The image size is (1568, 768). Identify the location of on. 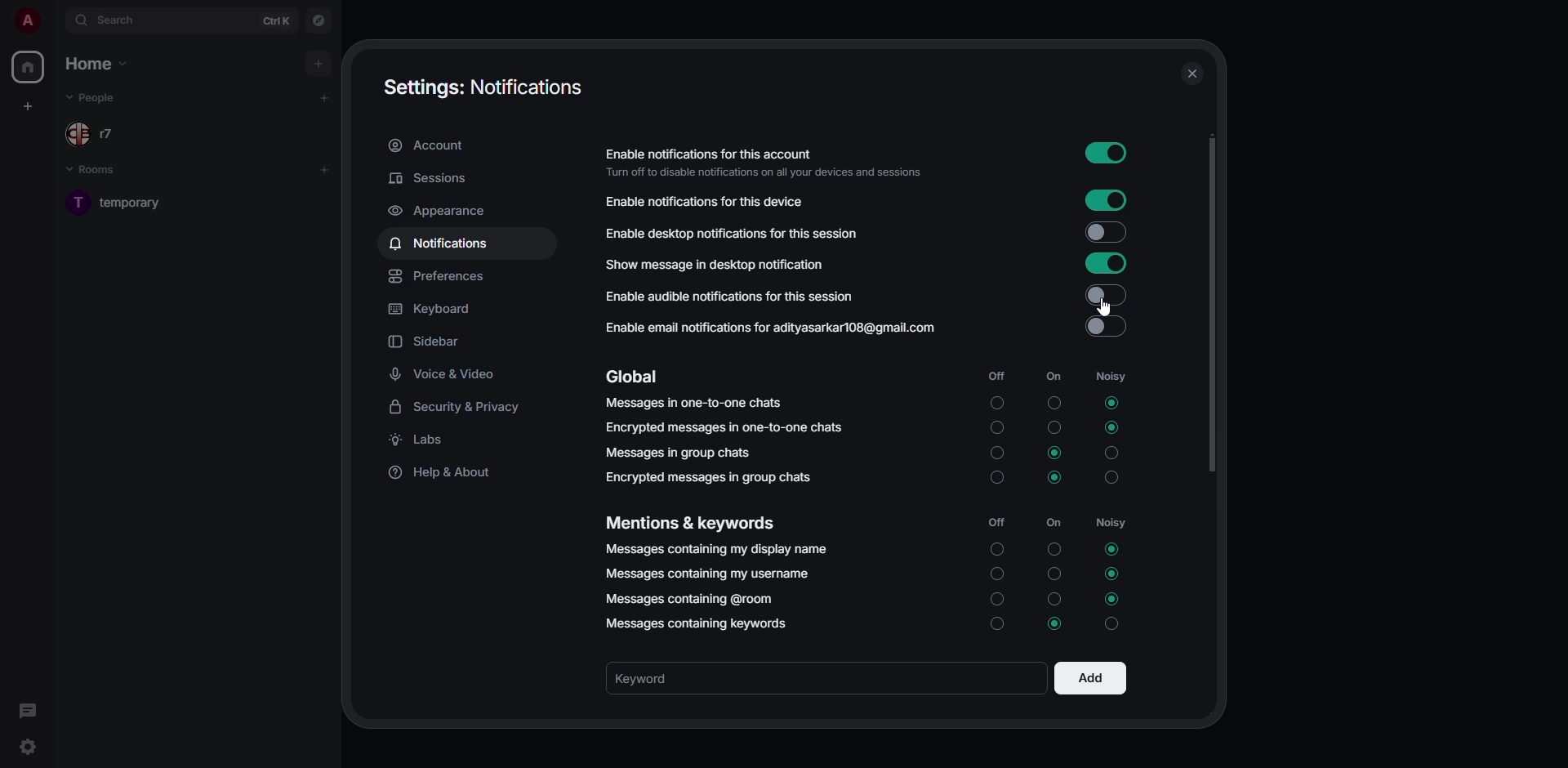
(1054, 402).